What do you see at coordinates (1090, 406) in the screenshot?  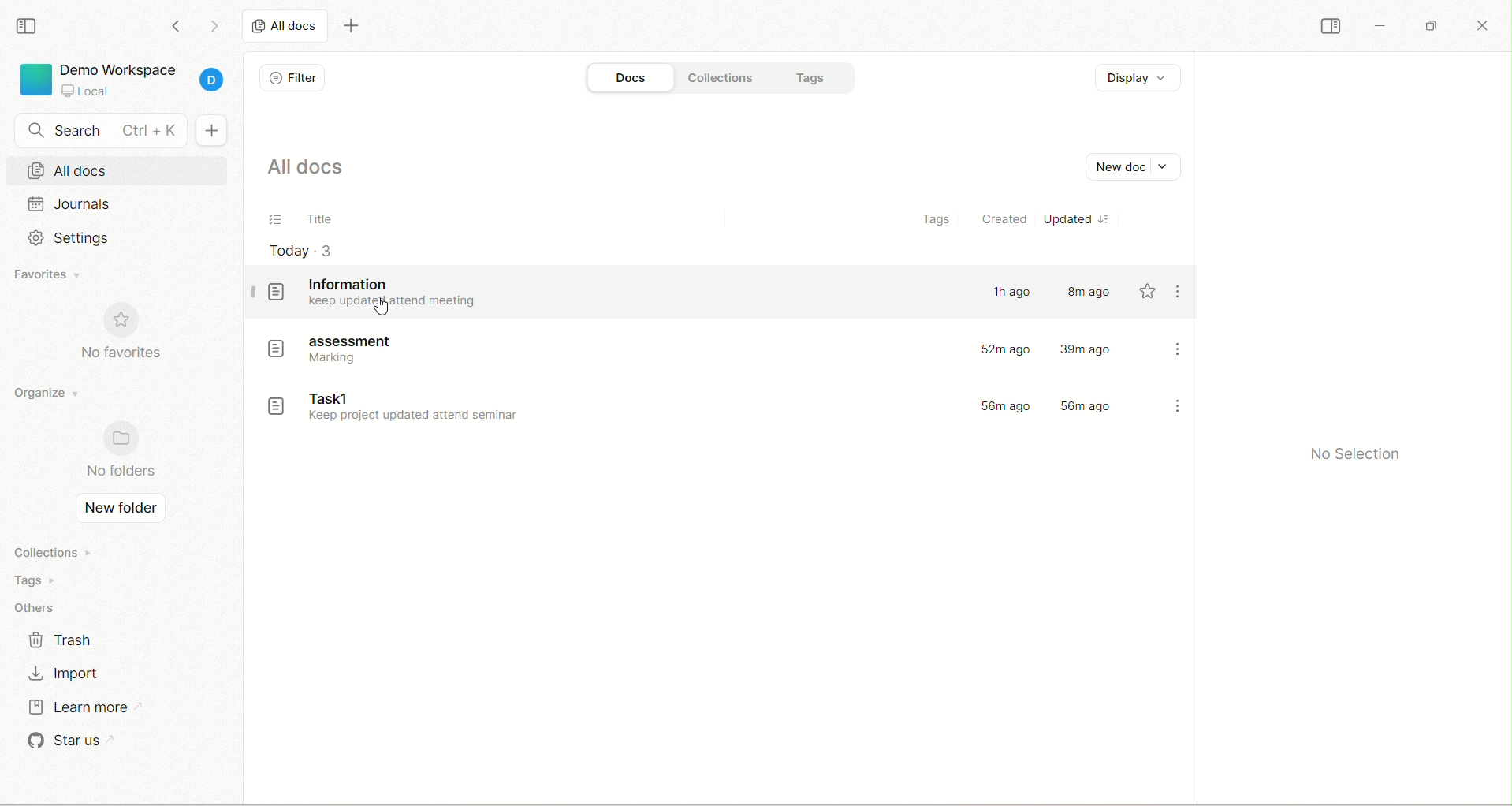 I see `56m ago` at bounding box center [1090, 406].